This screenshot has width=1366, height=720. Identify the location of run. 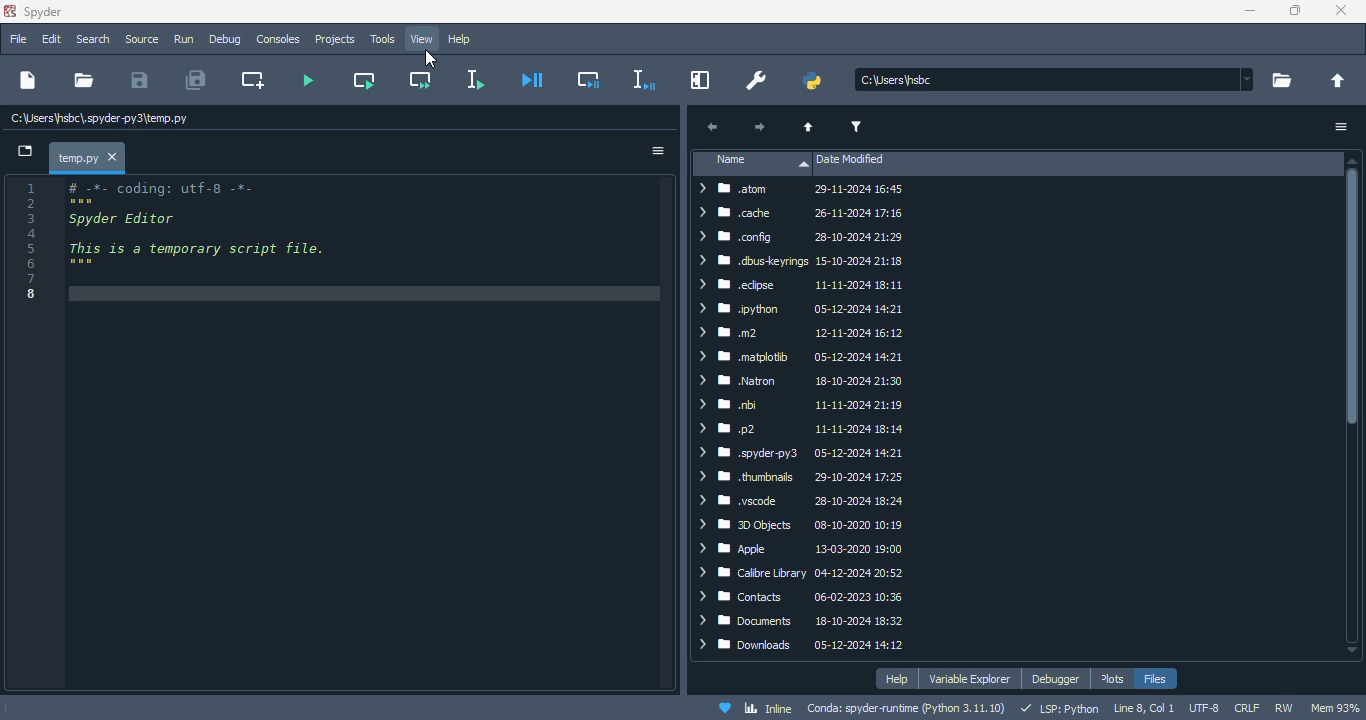
(184, 40).